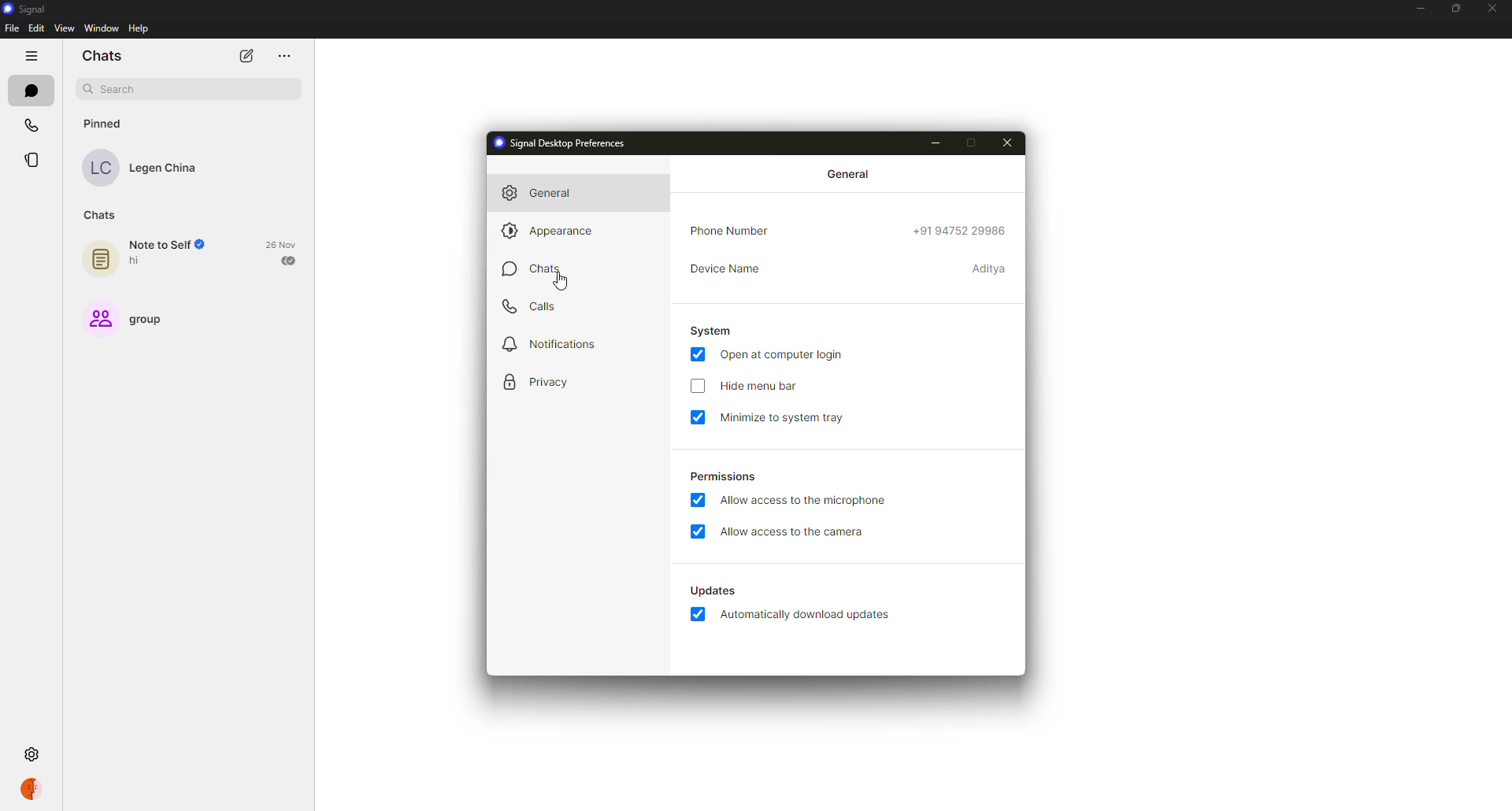 This screenshot has width=1512, height=811. I want to click on privacy, so click(540, 383).